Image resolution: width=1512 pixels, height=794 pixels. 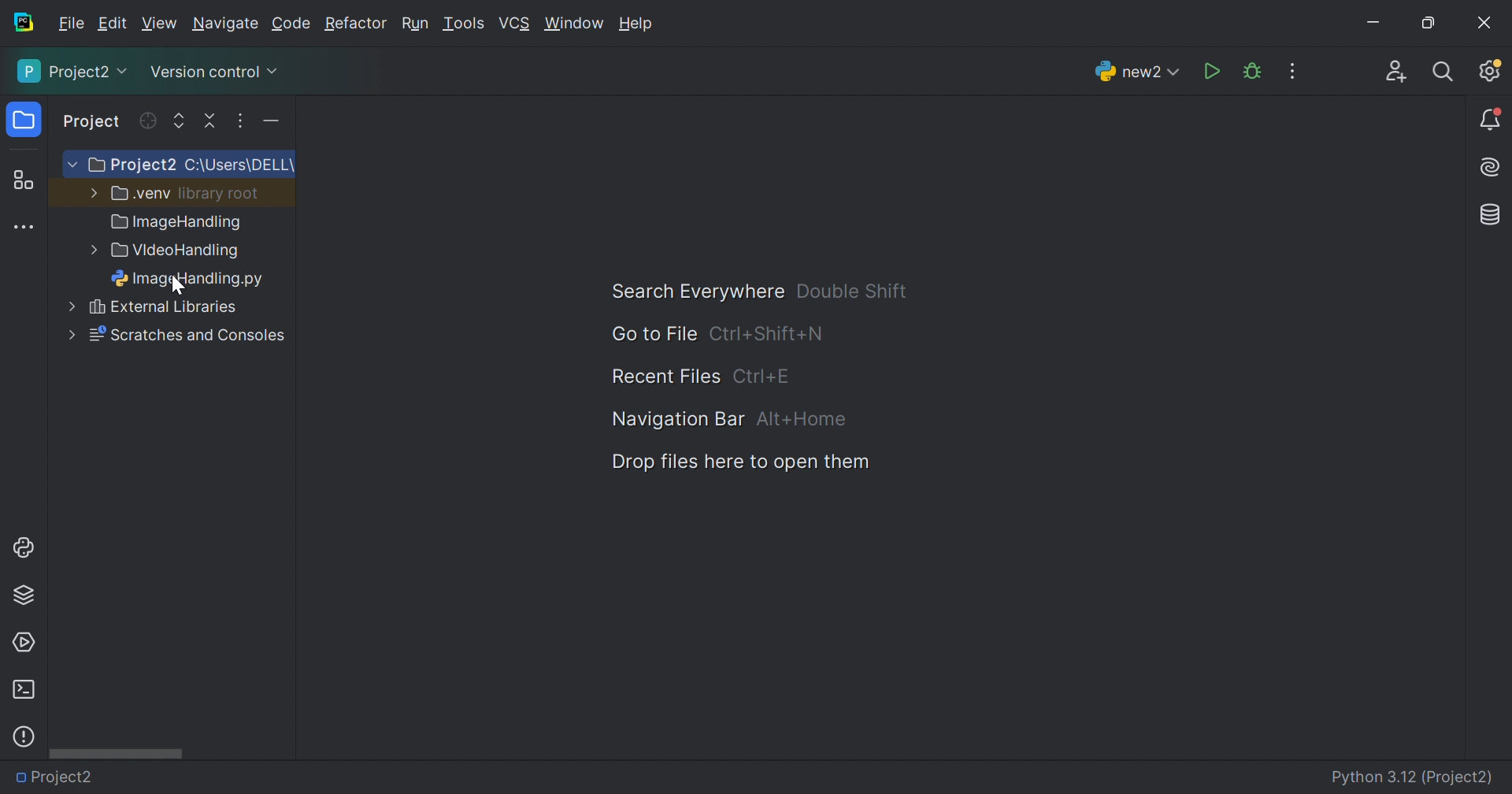 What do you see at coordinates (23, 181) in the screenshot?
I see `Structure` at bounding box center [23, 181].